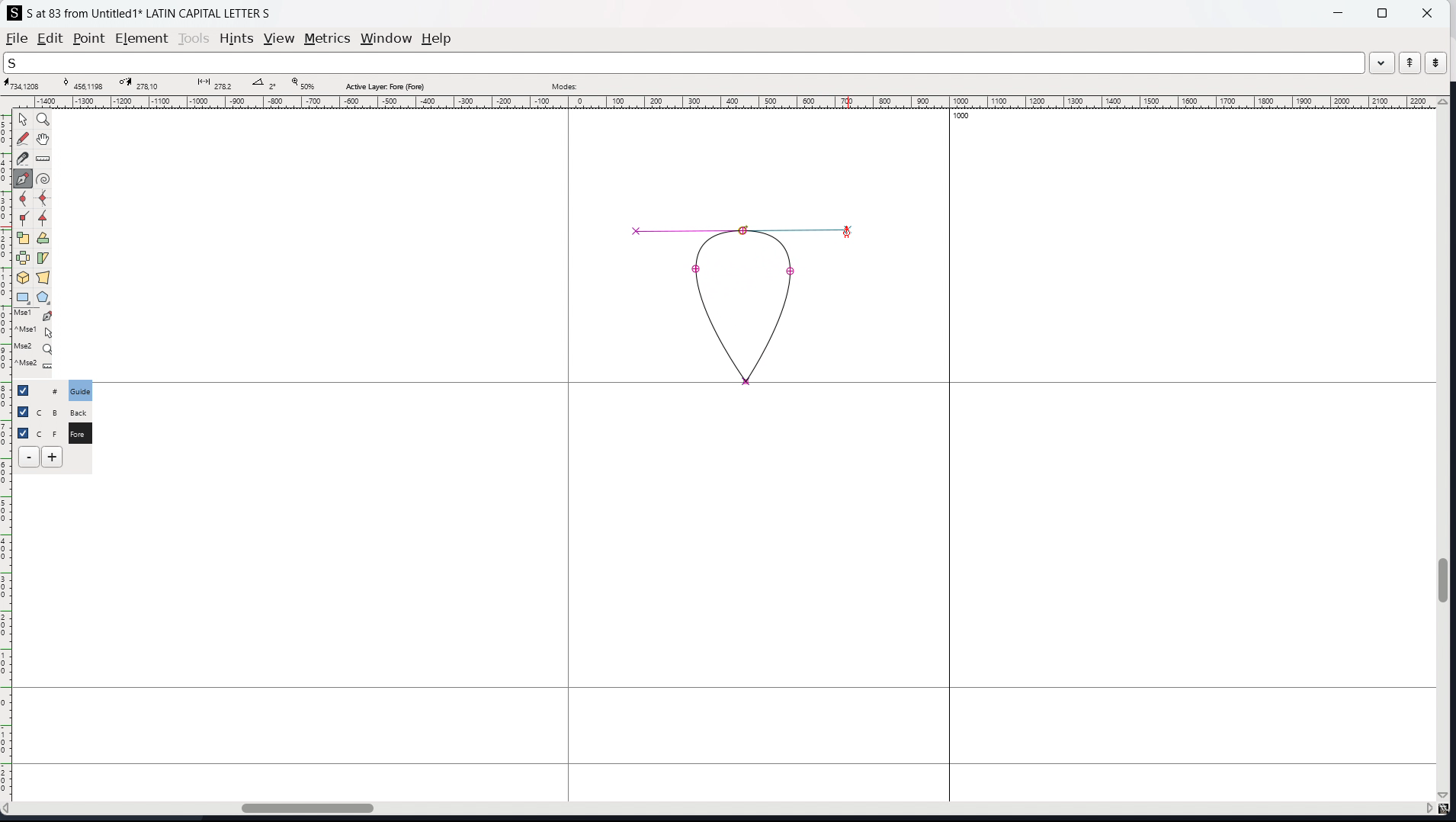 Image resolution: width=1456 pixels, height=822 pixels. What do you see at coordinates (52, 457) in the screenshot?
I see `add layers` at bounding box center [52, 457].